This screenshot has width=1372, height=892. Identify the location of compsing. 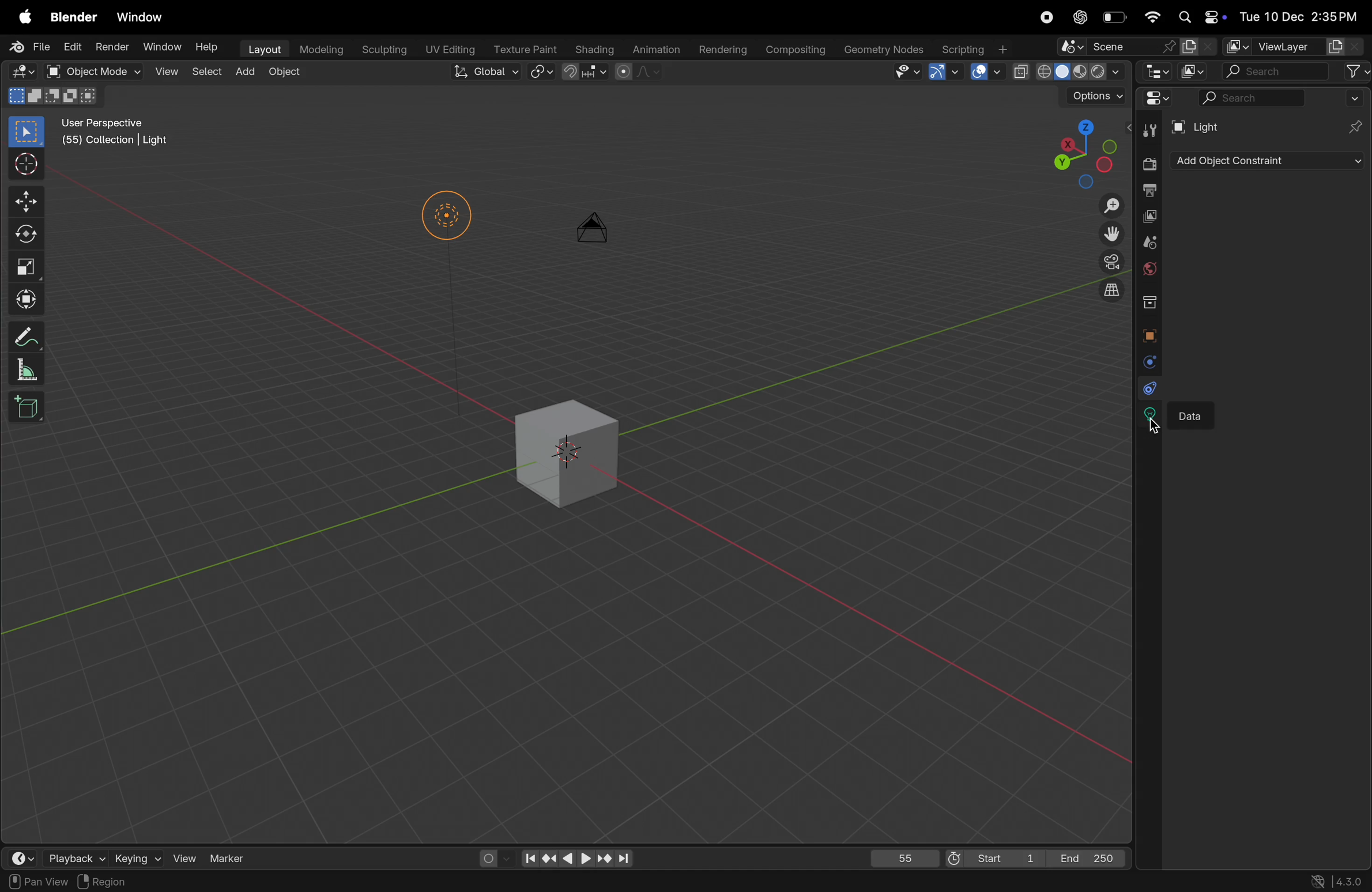
(800, 48).